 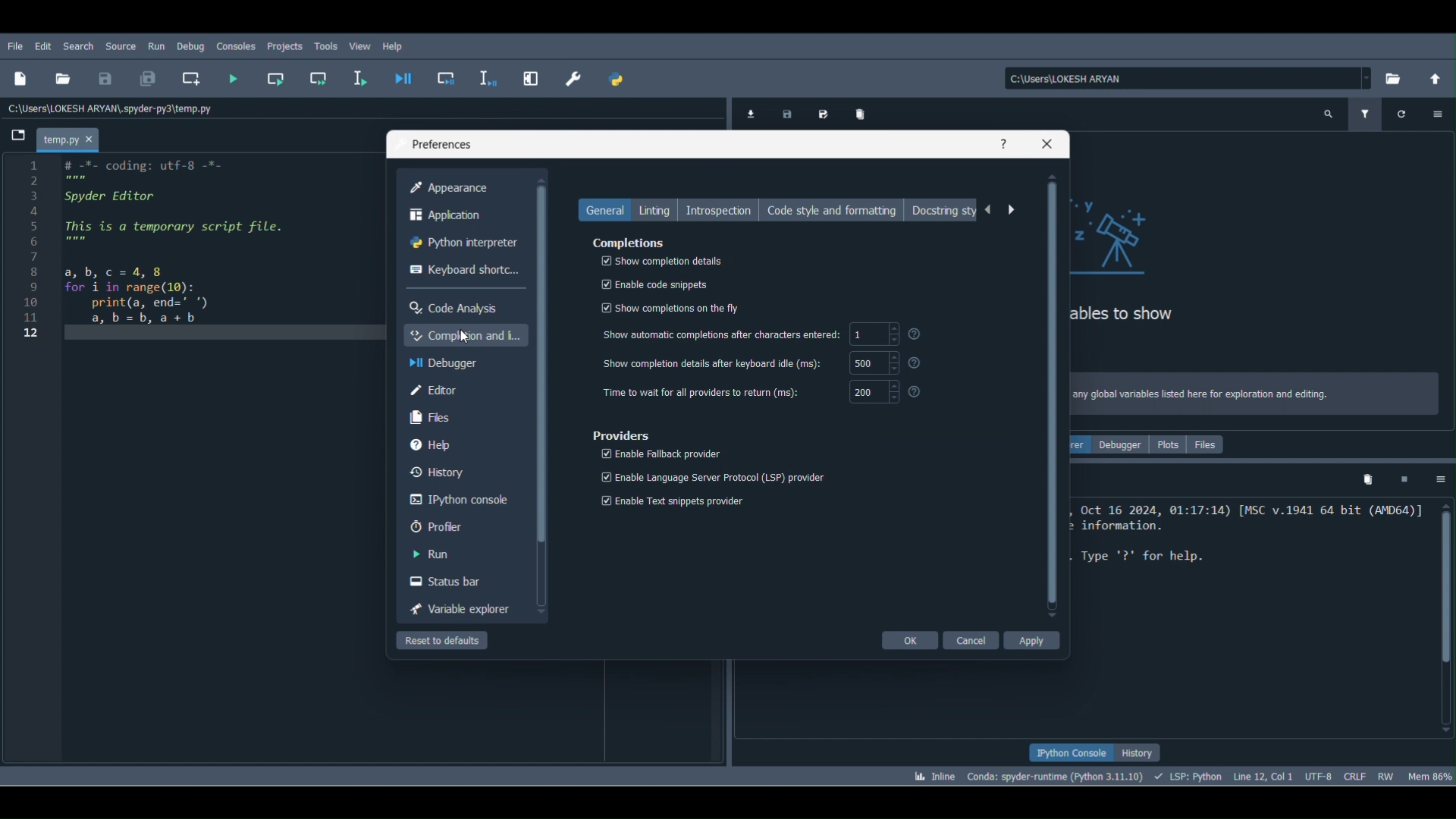 I want to click on Reset to default, so click(x=442, y=643).